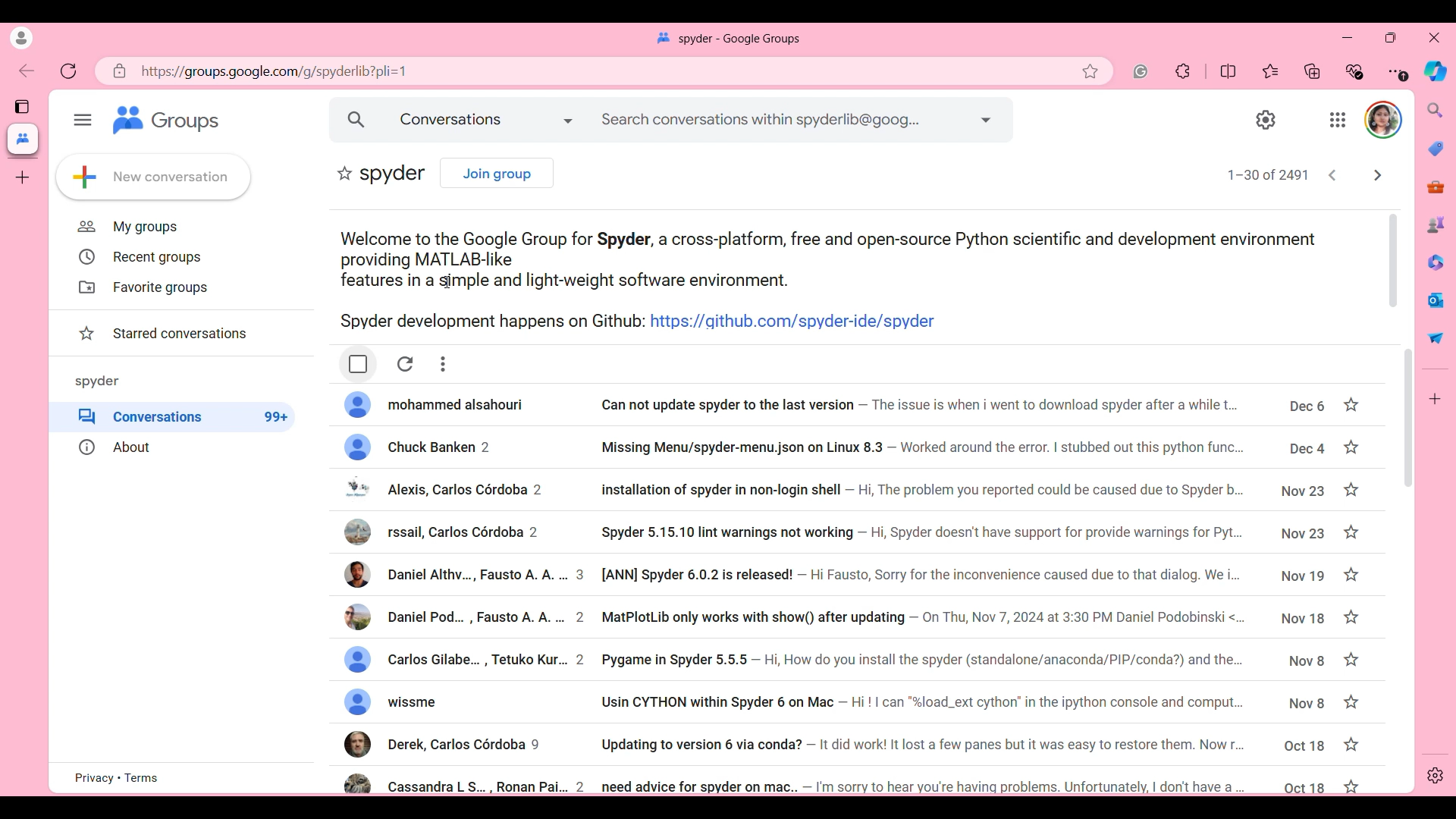 This screenshot has width=1456, height=819. I want to click on Browser shopping, so click(1436, 149).